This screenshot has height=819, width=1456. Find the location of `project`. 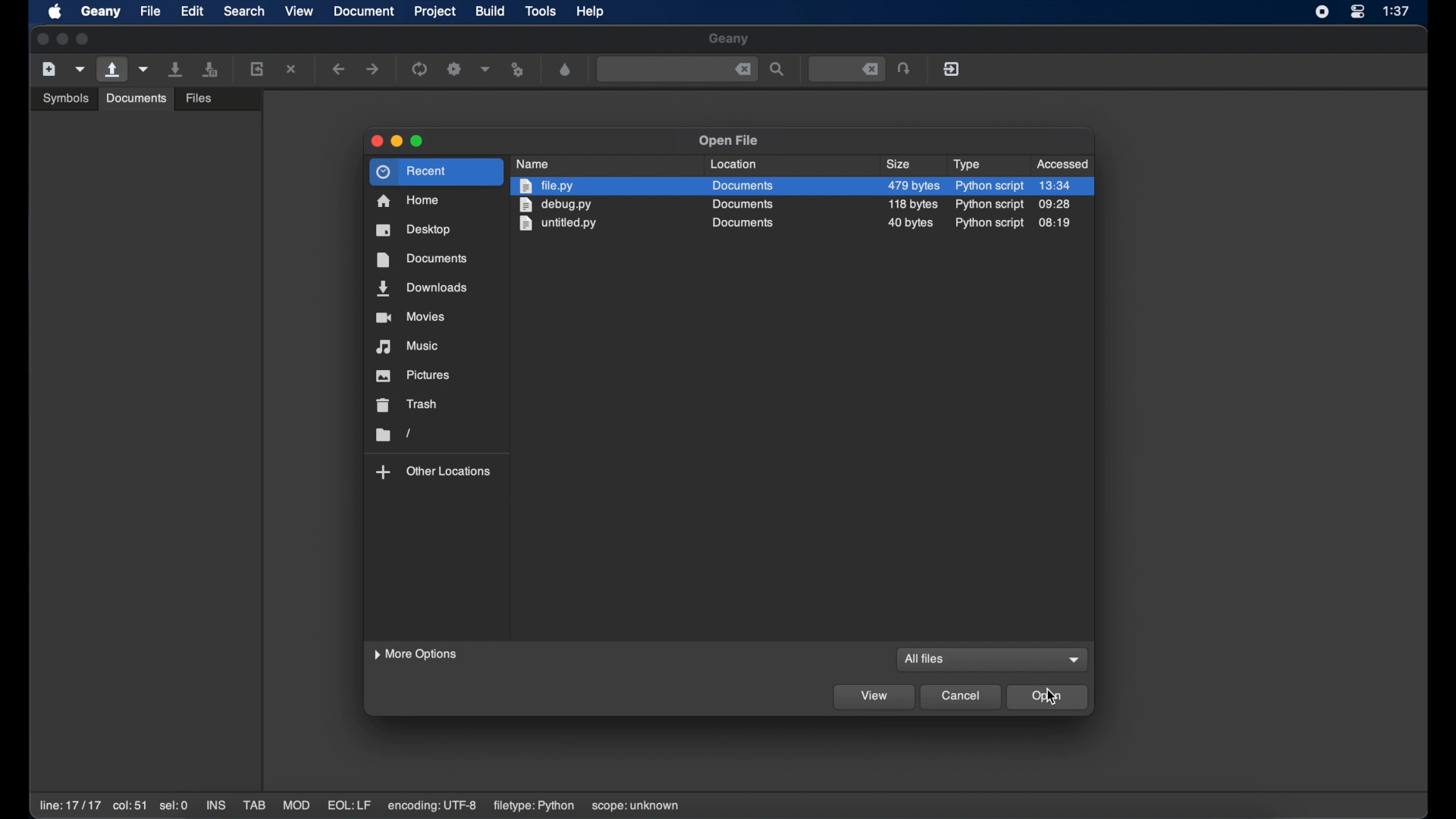

project is located at coordinates (435, 11).